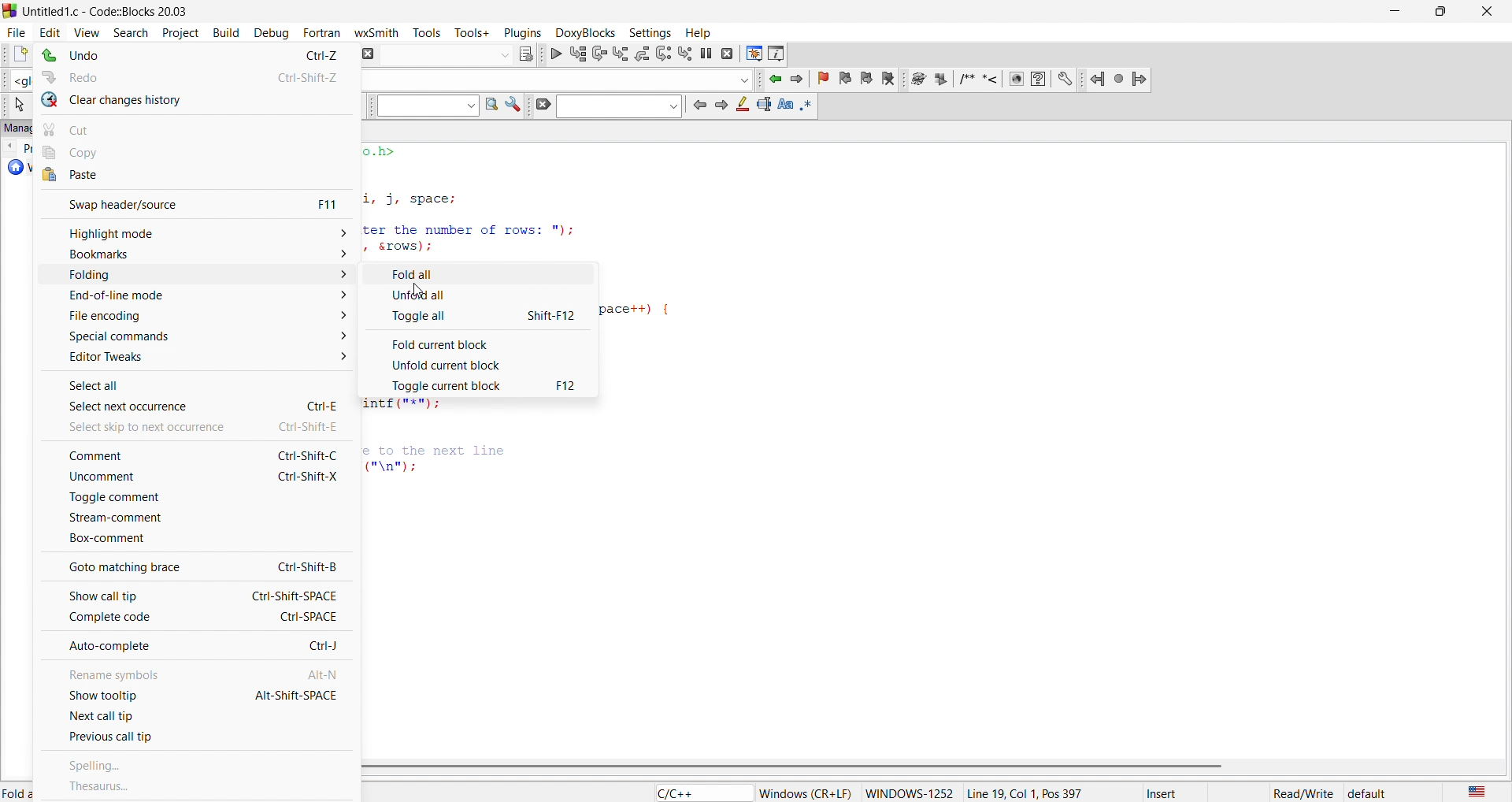  What do you see at coordinates (194, 232) in the screenshot?
I see `highlight mode` at bounding box center [194, 232].